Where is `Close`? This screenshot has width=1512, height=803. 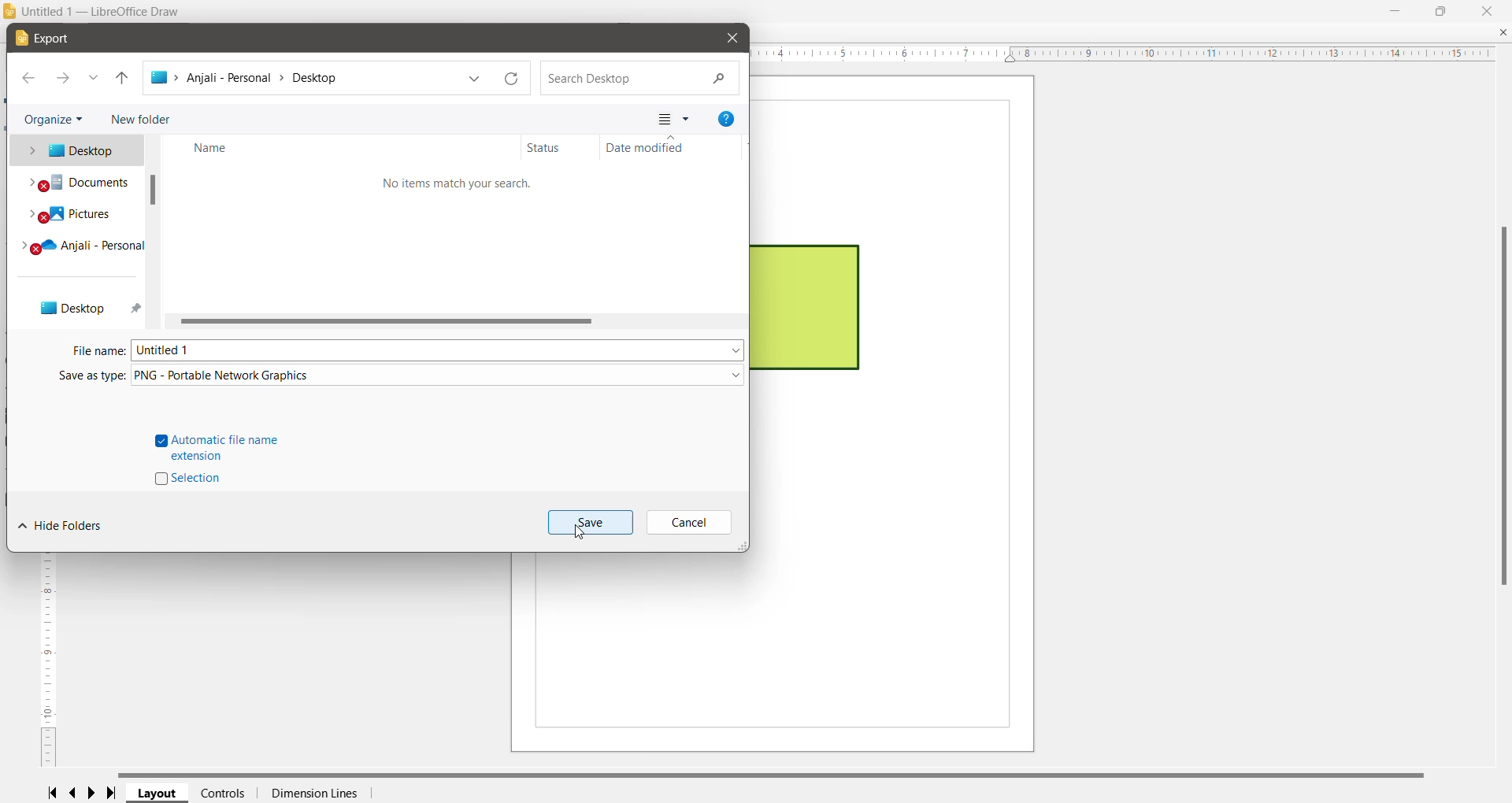
Close is located at coordinates (1489, 10).